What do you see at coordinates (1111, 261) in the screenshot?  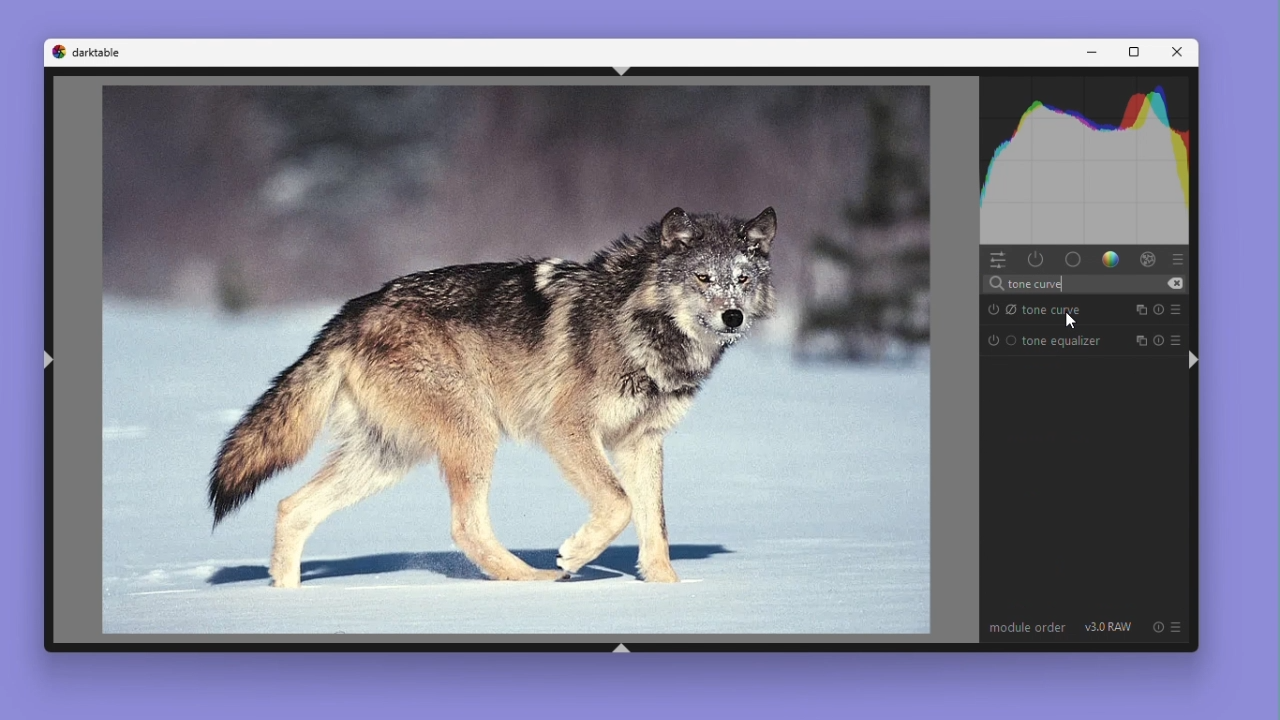 I see `Color` at bounding box center [1111, 261].